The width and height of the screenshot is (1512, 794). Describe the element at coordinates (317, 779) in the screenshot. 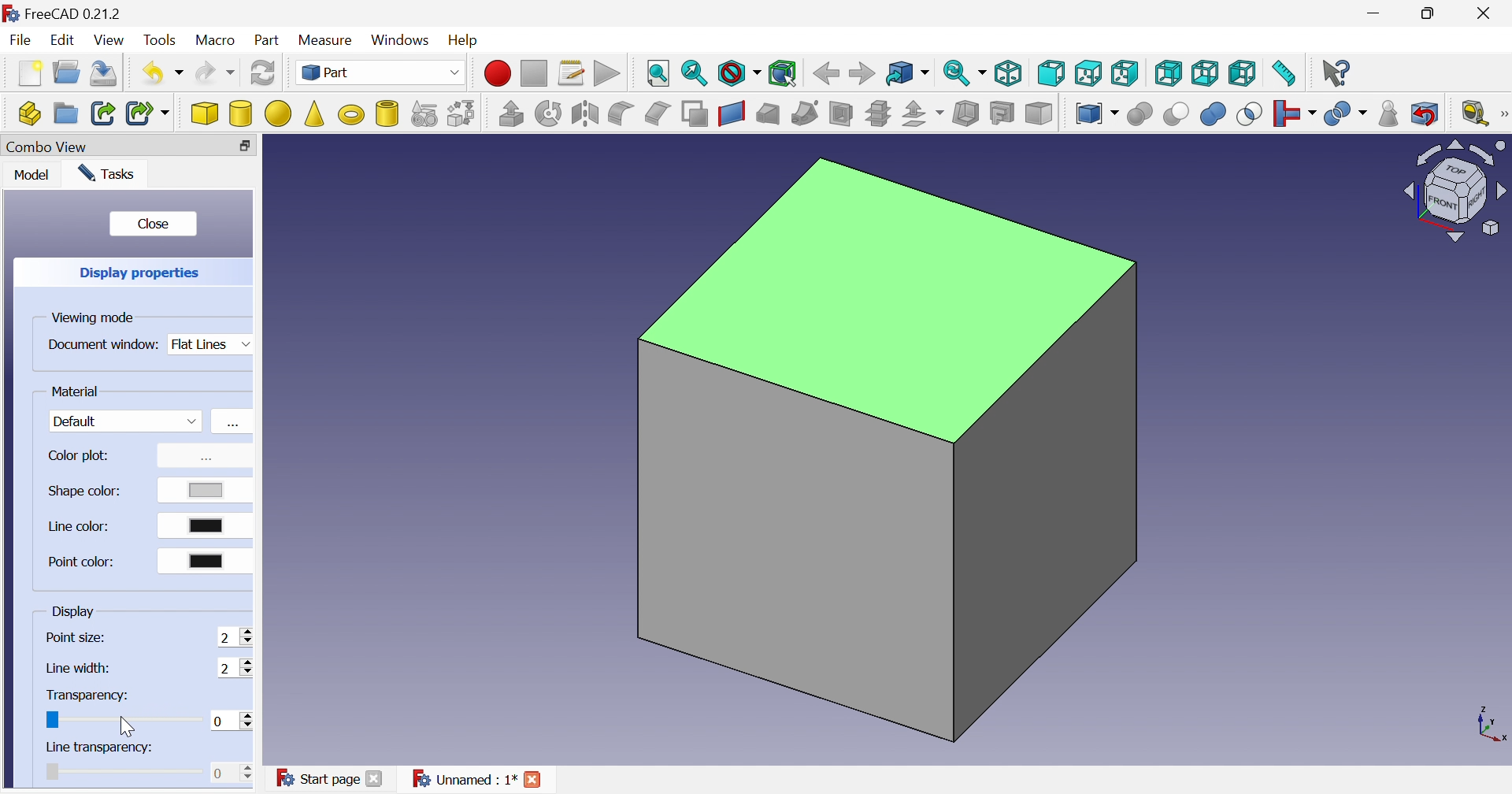

I see `Start page` at that location.